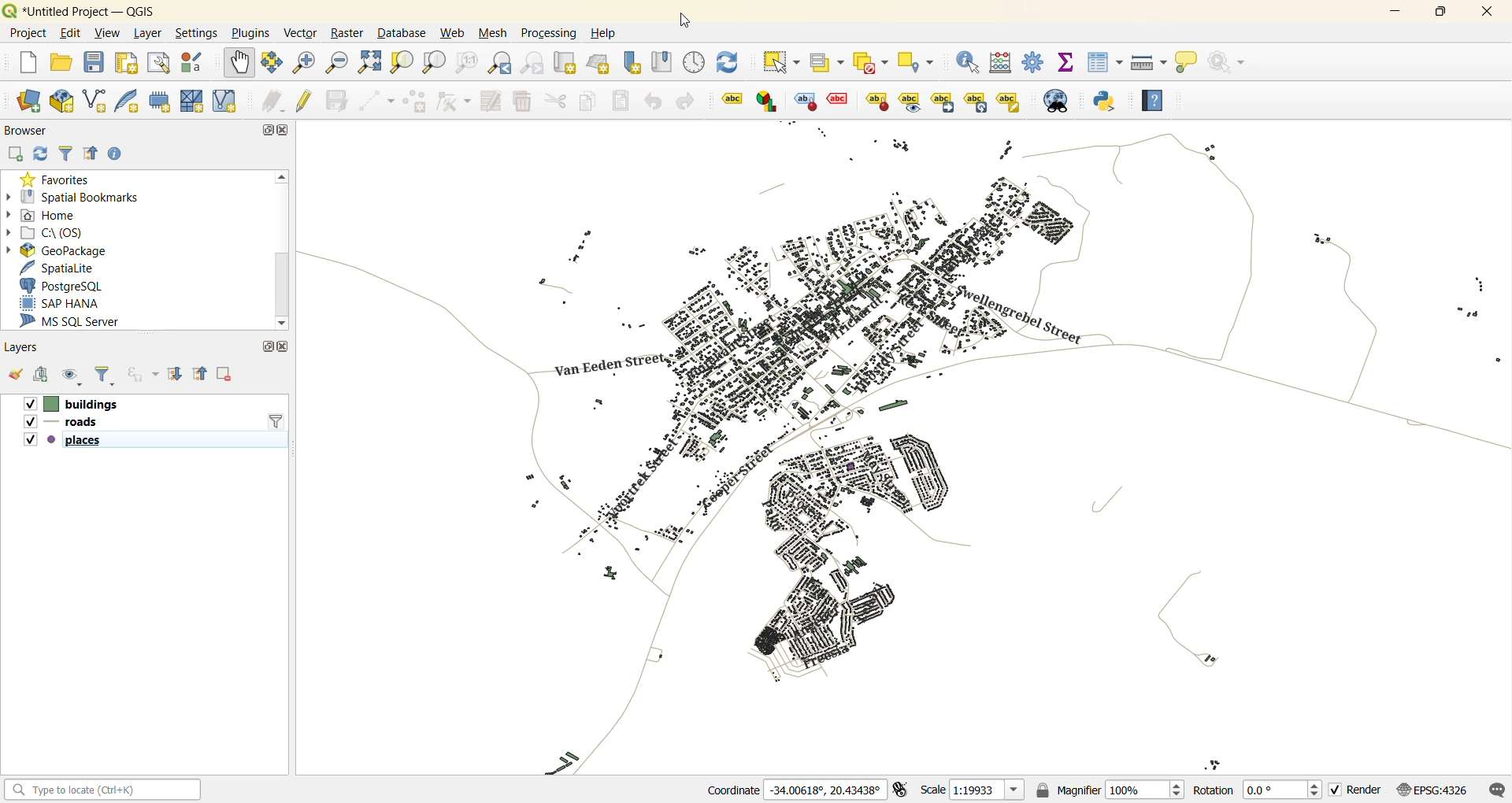 The height and width of the screenshot is (803, 1512). What do you see at coordinates (345, 33) in the screenshot?
I see `raster` at bounding box center [345, 33].